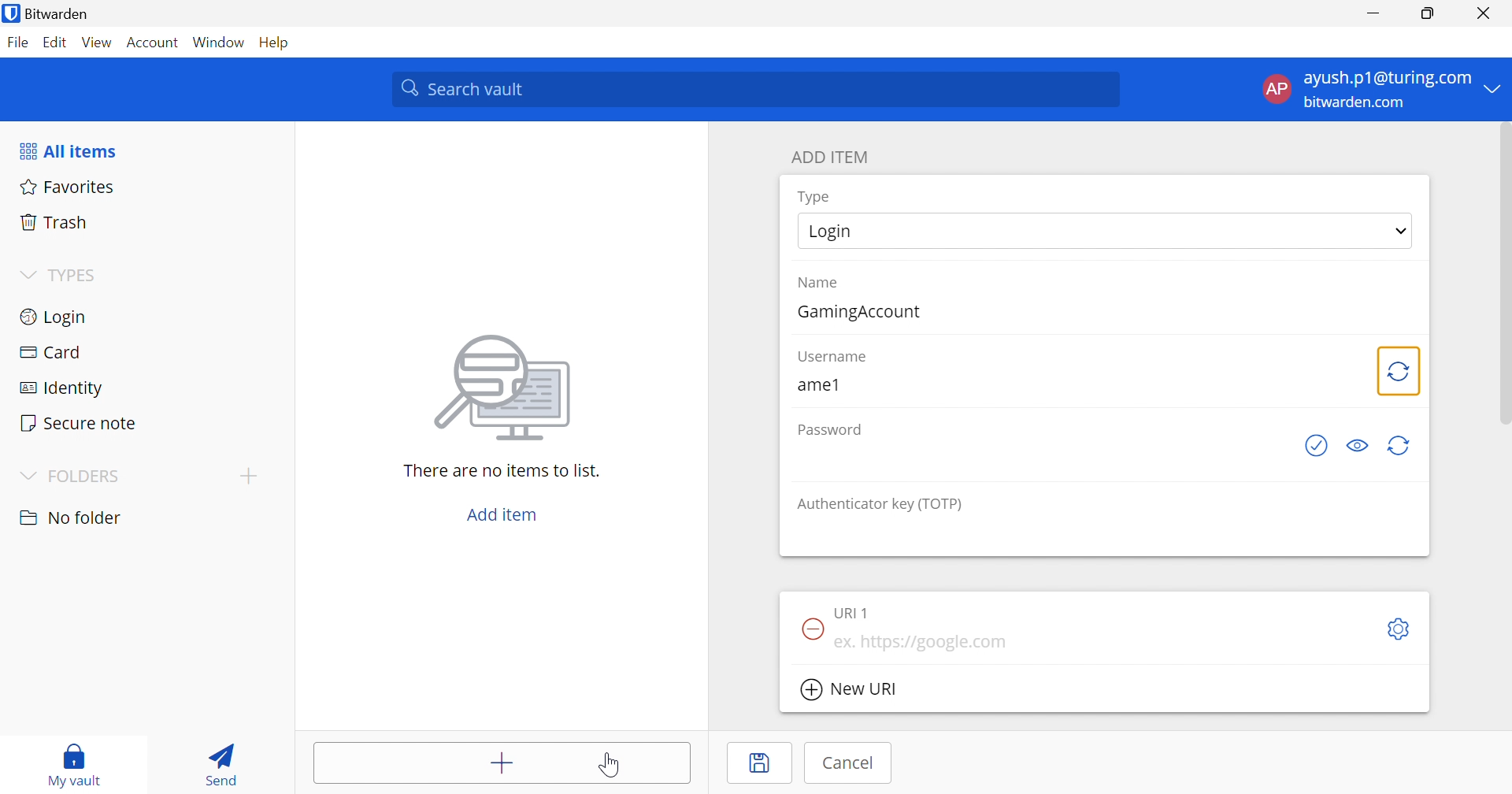 Image resolution: width=1512 pixels, height=794 pixels. Describe the element at coordinates (53, 354) in the screenshot. I see `Card` at that location.